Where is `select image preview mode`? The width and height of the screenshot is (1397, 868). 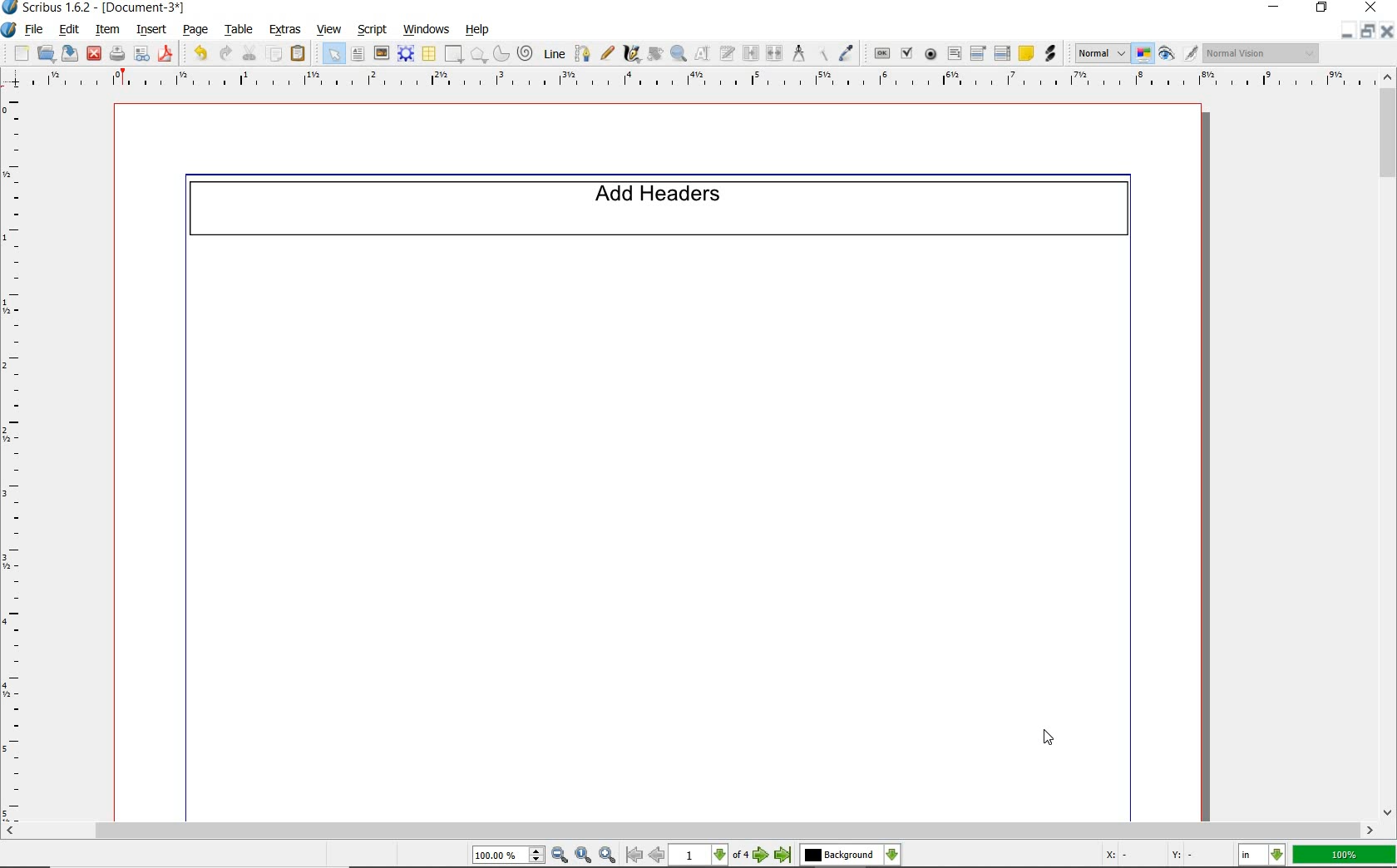 select image preview mode is located at coordinates (1102, 52).